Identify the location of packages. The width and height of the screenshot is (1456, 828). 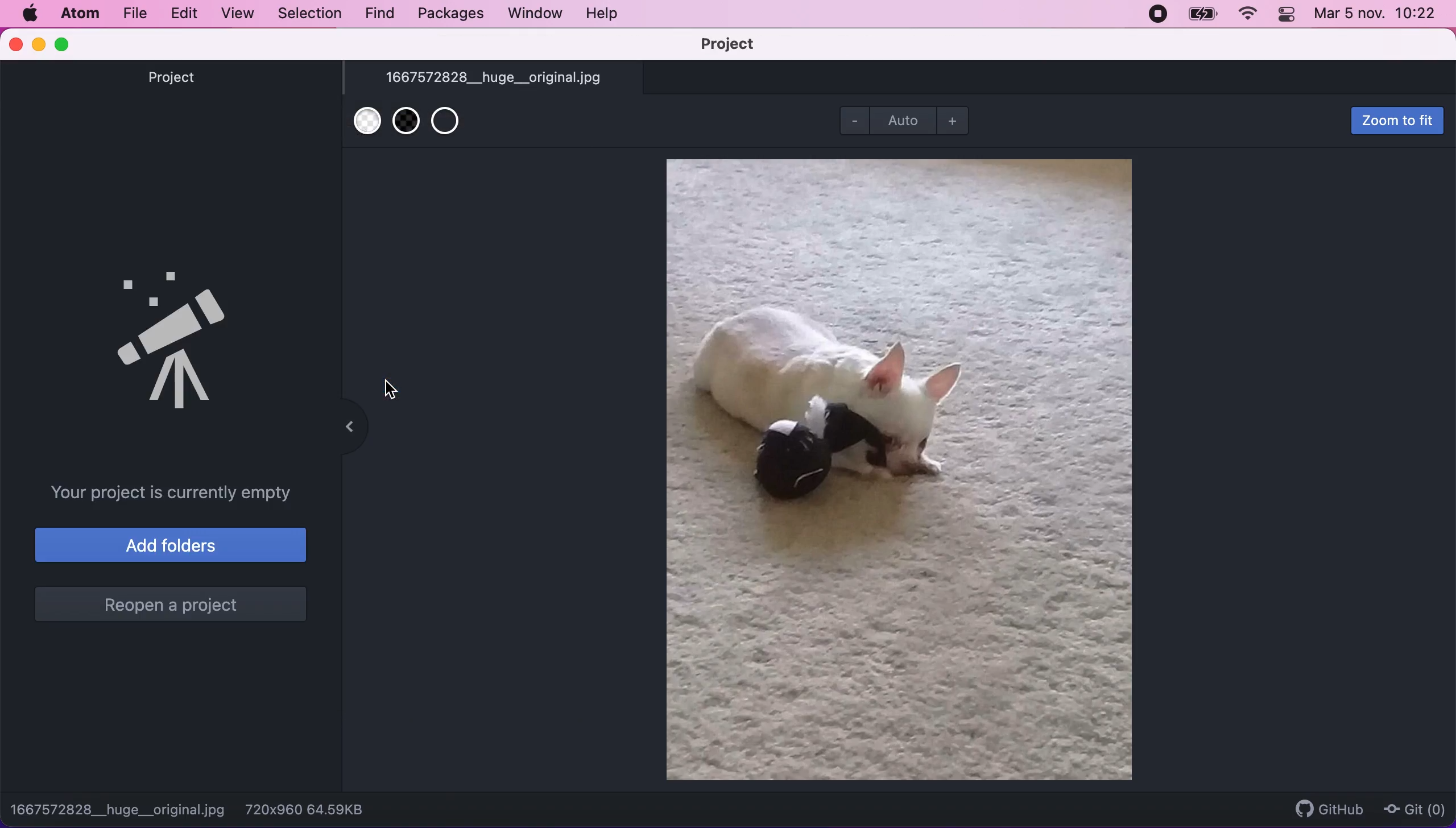
(448, 14).